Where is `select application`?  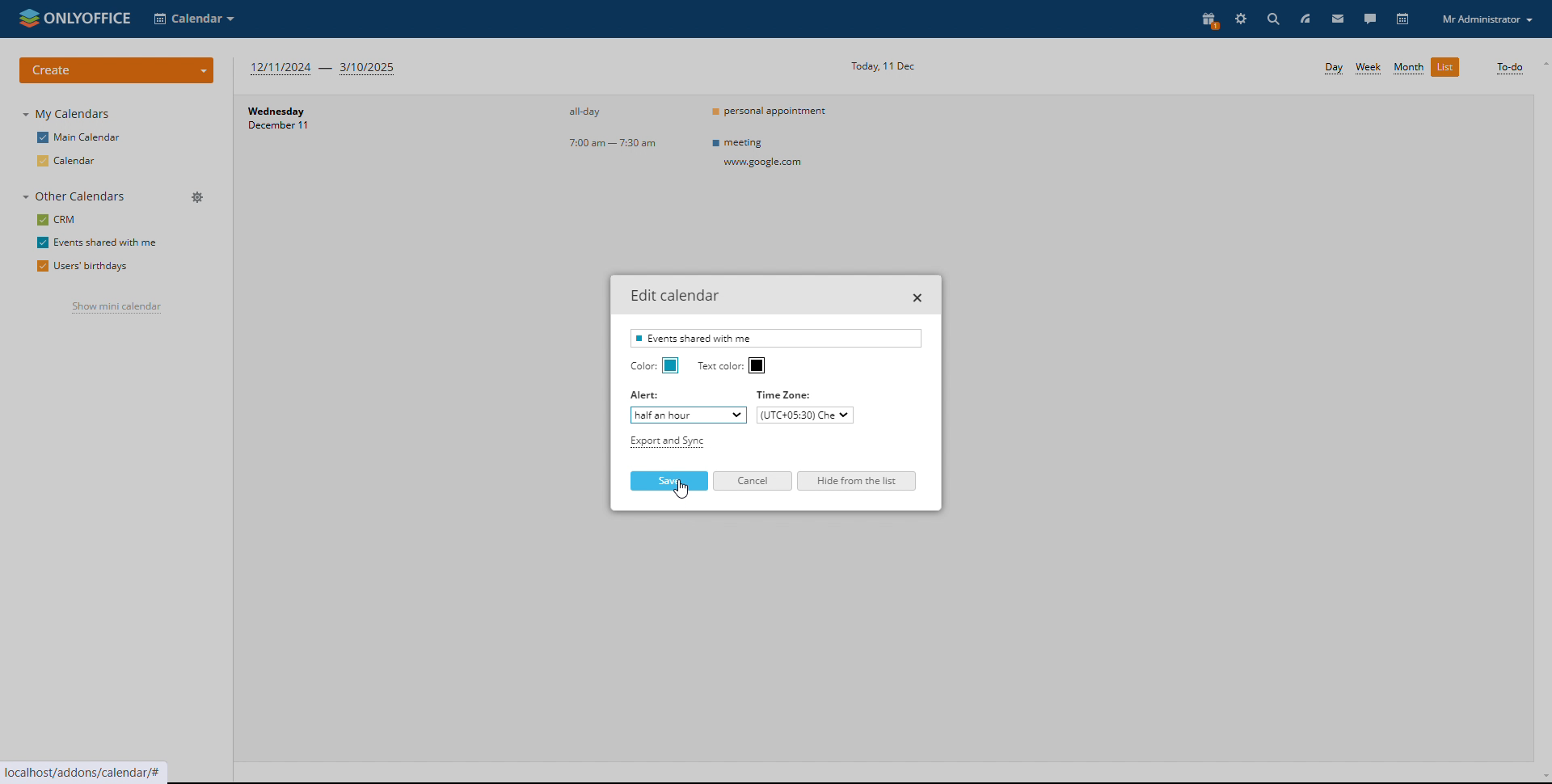
select application is located at coordinates (194, 18).